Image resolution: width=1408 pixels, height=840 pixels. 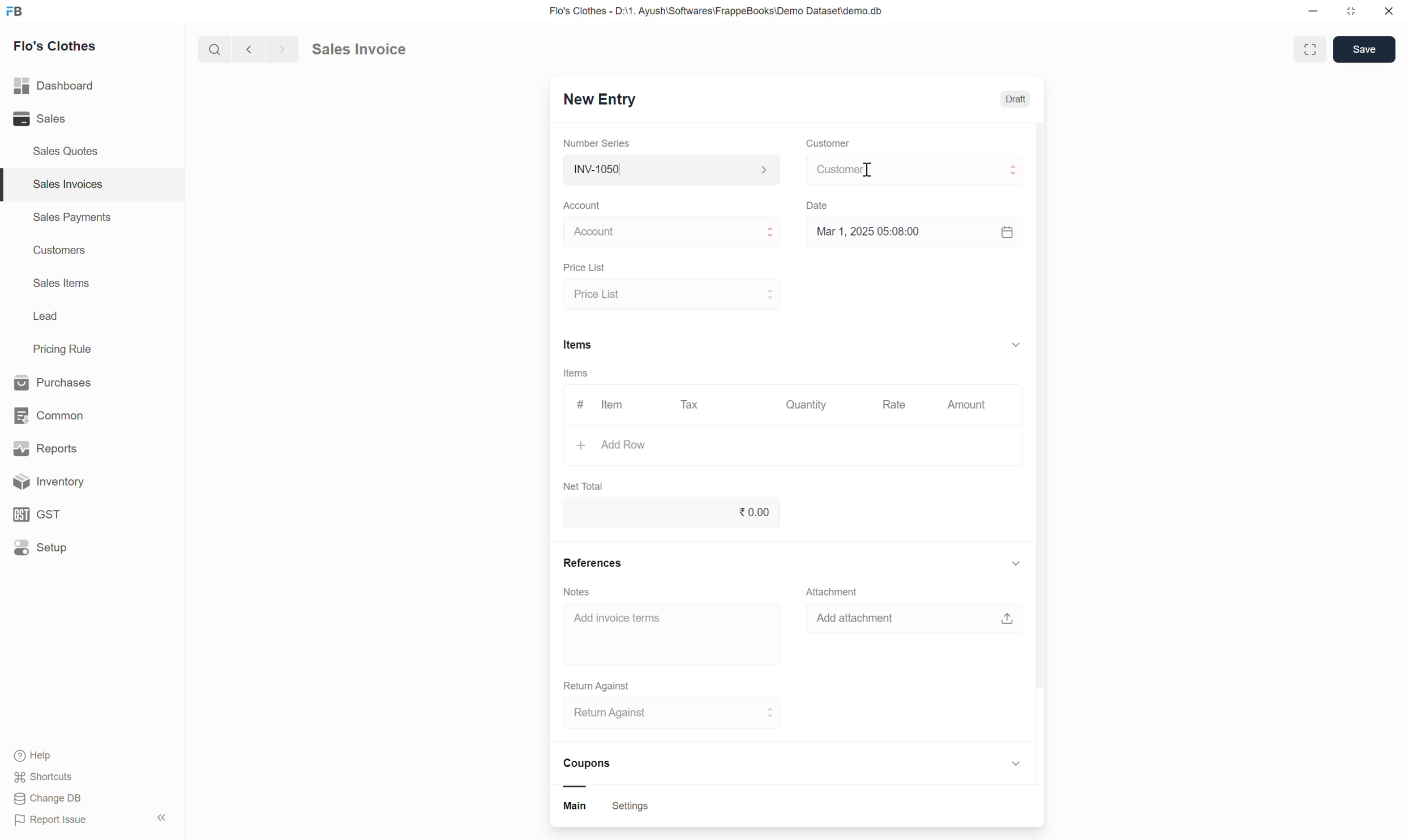 I want to click on show or hide coupon, so click(x=1016, y=766).